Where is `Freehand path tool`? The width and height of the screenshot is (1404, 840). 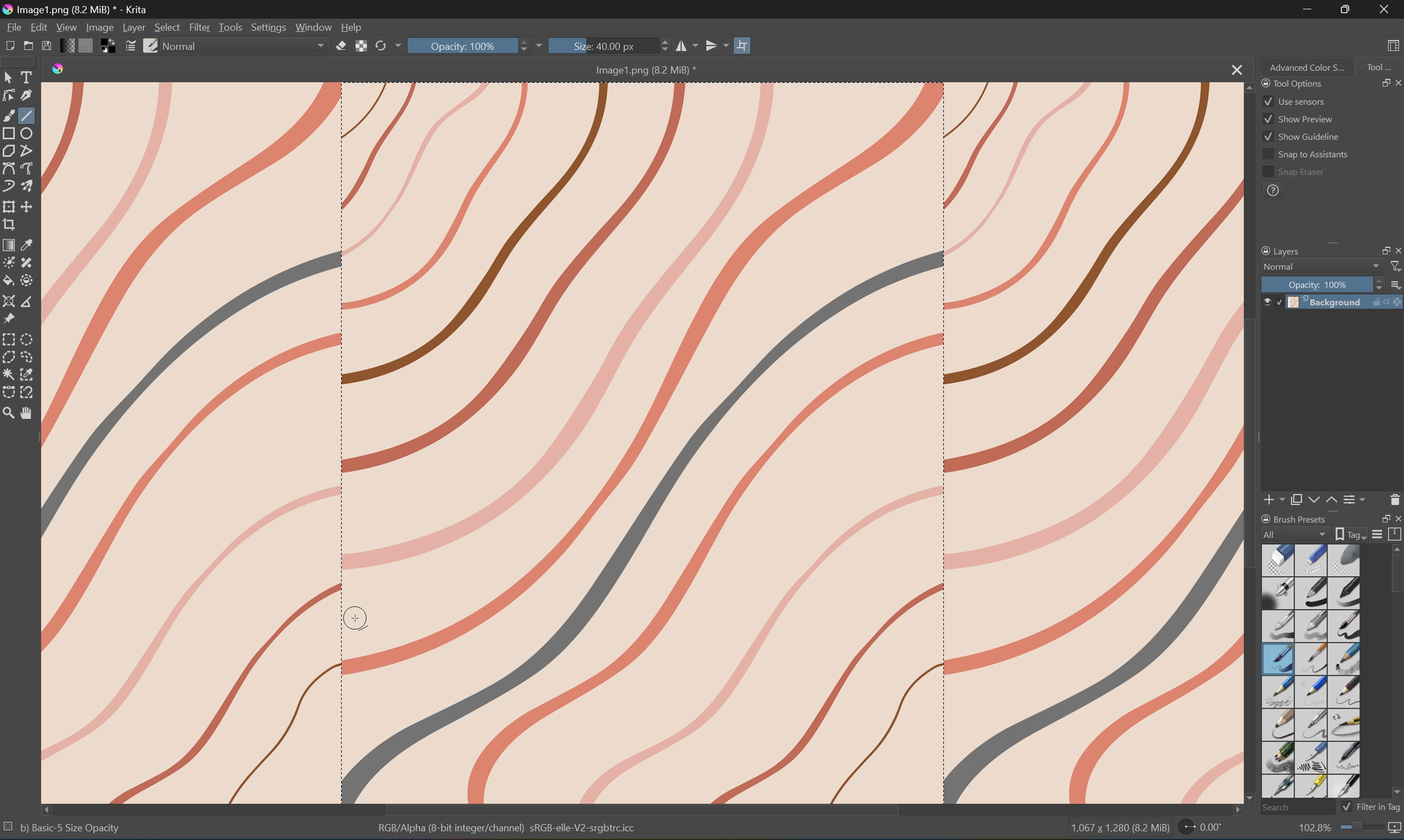
Freehand path tool is located at coordinates (29, 166).